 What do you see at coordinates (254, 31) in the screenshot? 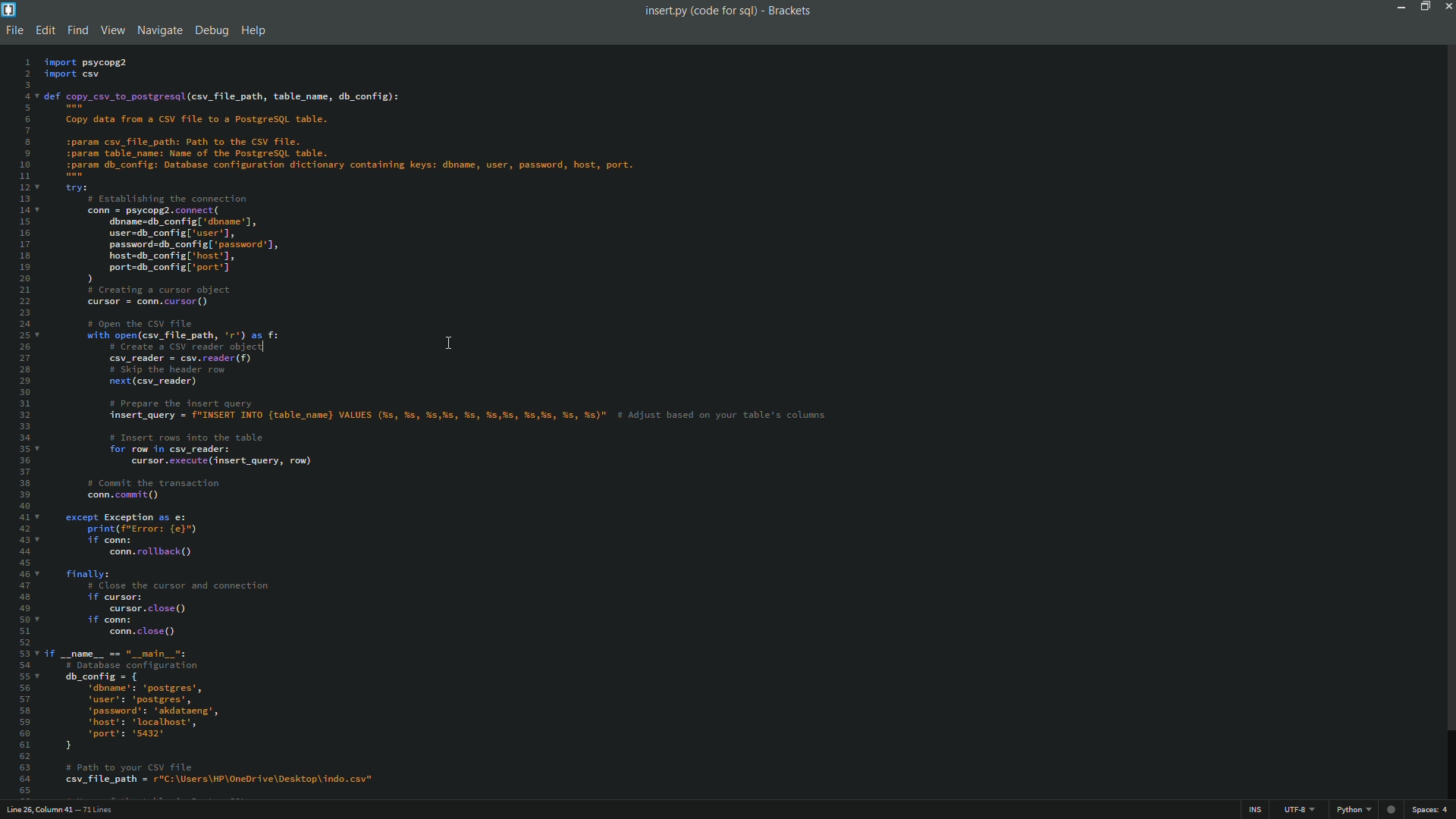
I see `help menu` at bounding box center [254, 31].